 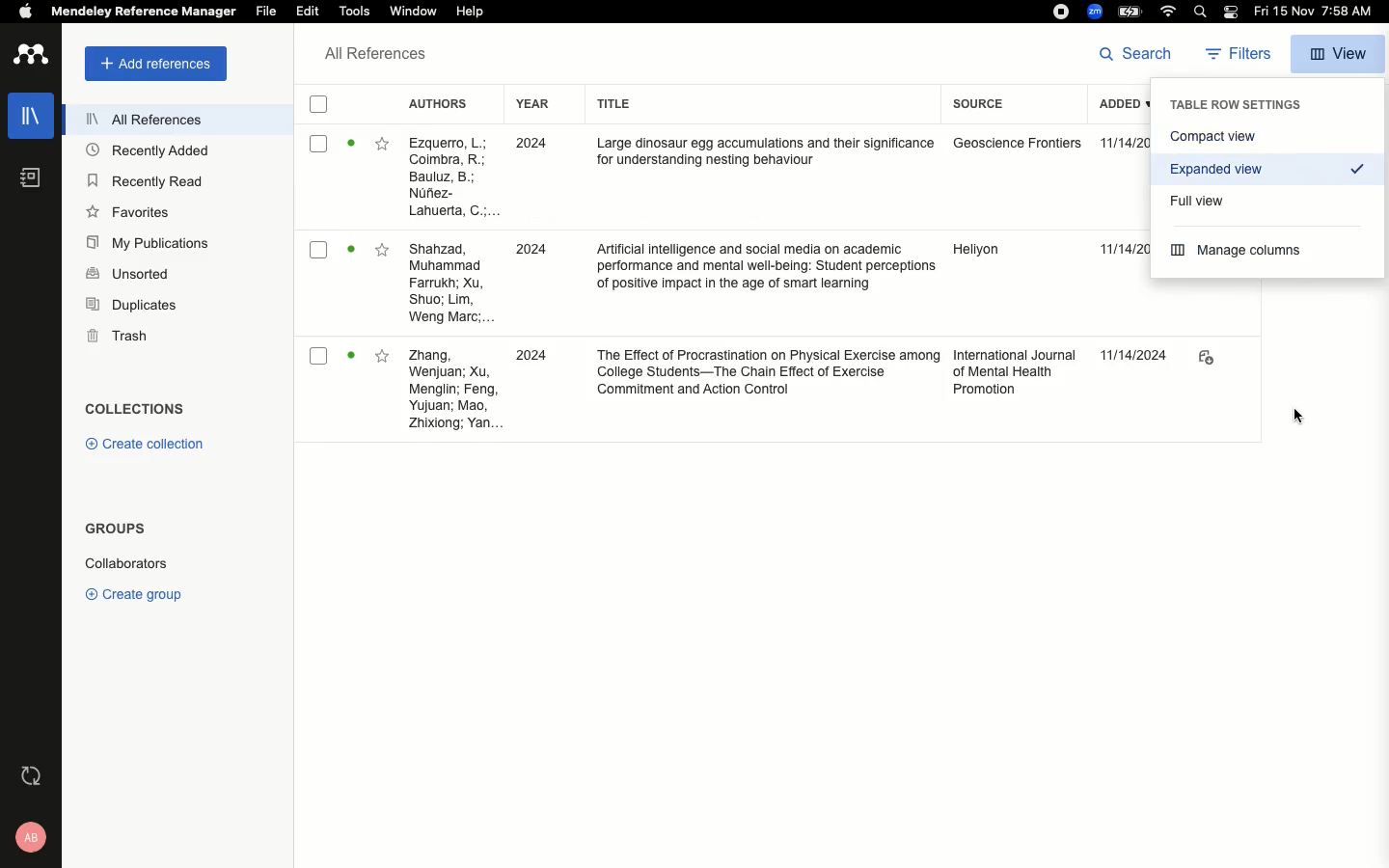 What do you see at coordinates (1197, 12) in the screenshot?
I see `Search` at bounding box center [1197, 12].